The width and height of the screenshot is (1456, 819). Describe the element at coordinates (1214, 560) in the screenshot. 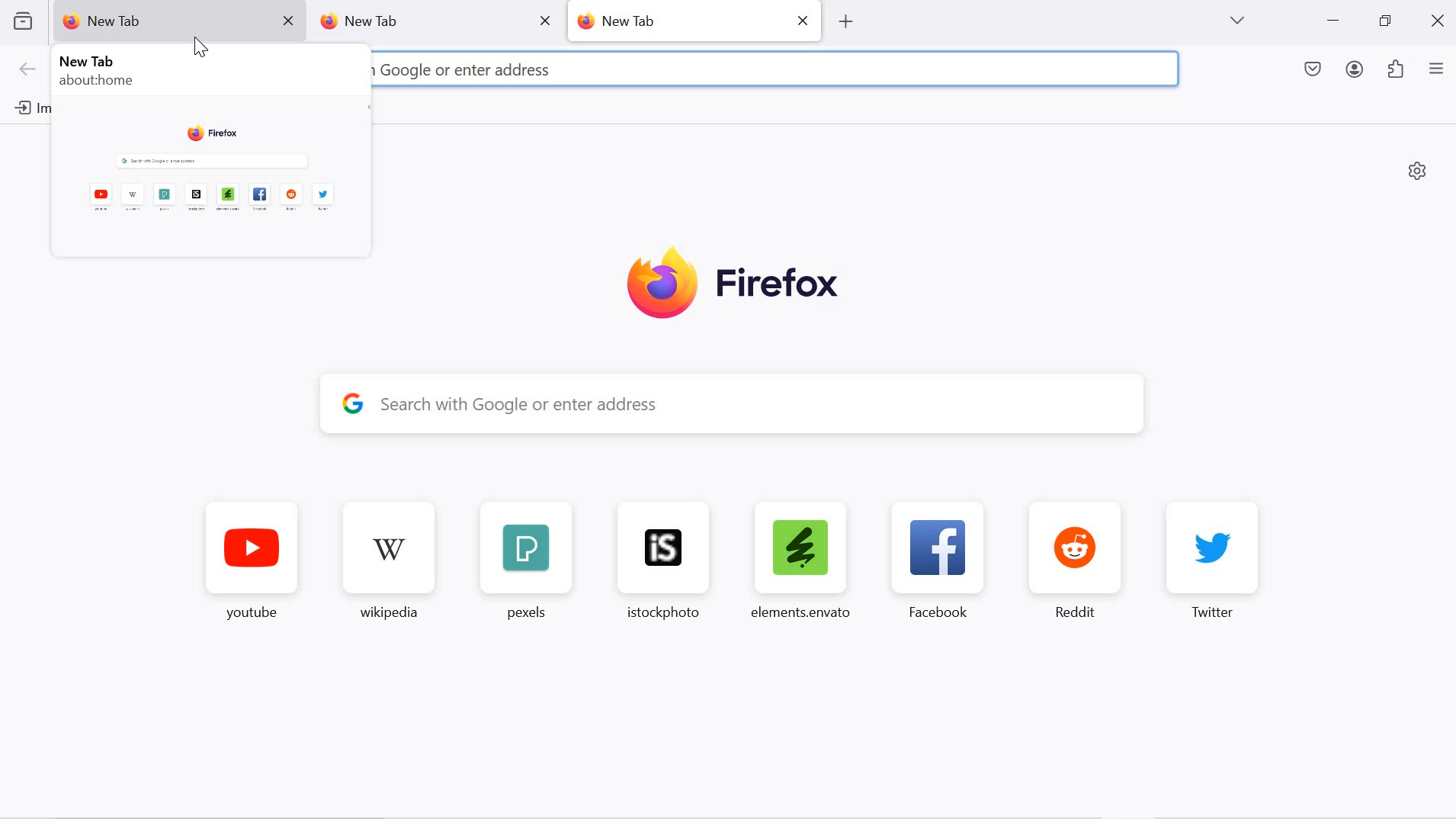

I see `twitter favorite` at that location.